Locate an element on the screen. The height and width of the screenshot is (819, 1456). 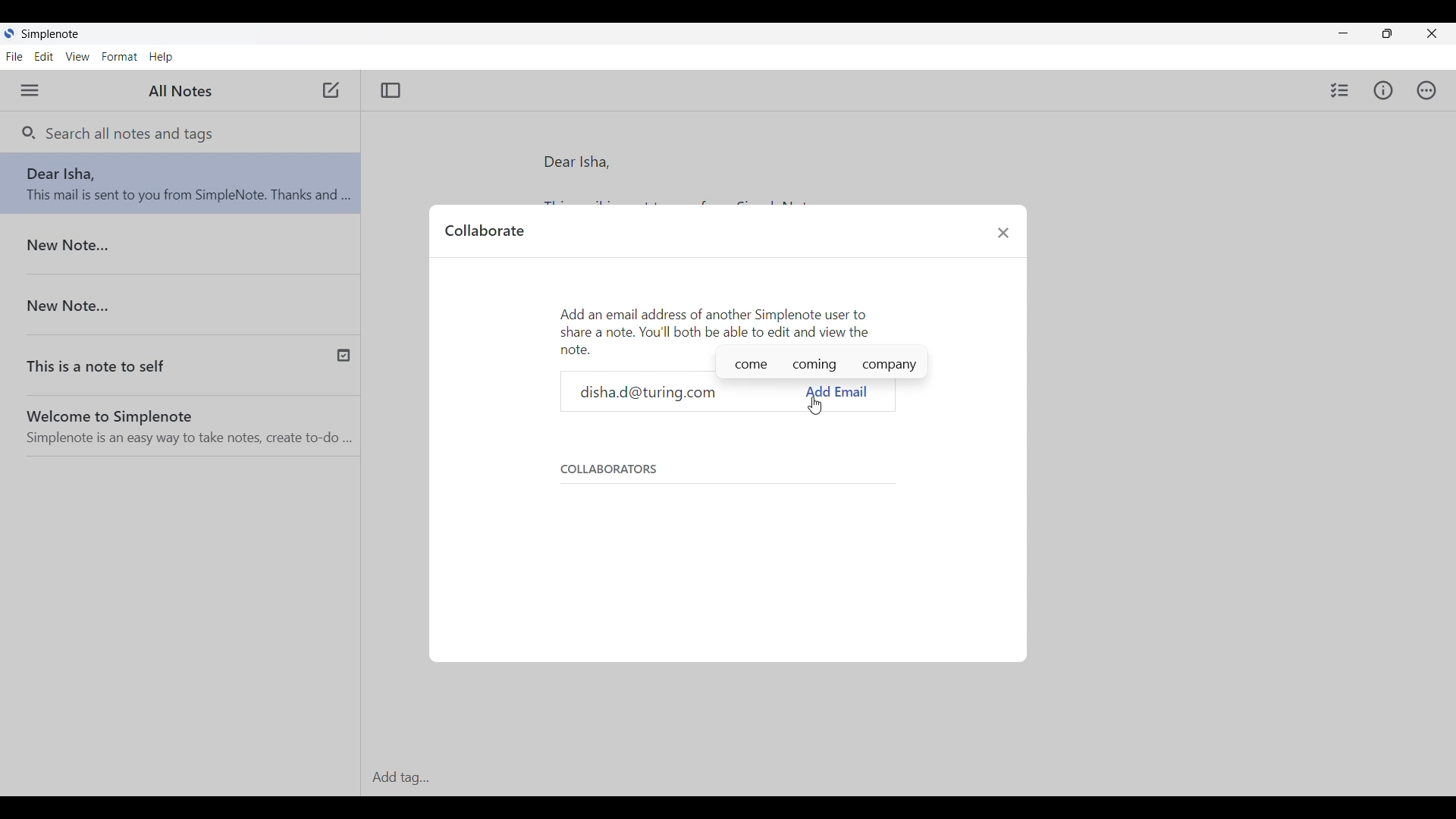
Menu is located at coordinates (29, 90).